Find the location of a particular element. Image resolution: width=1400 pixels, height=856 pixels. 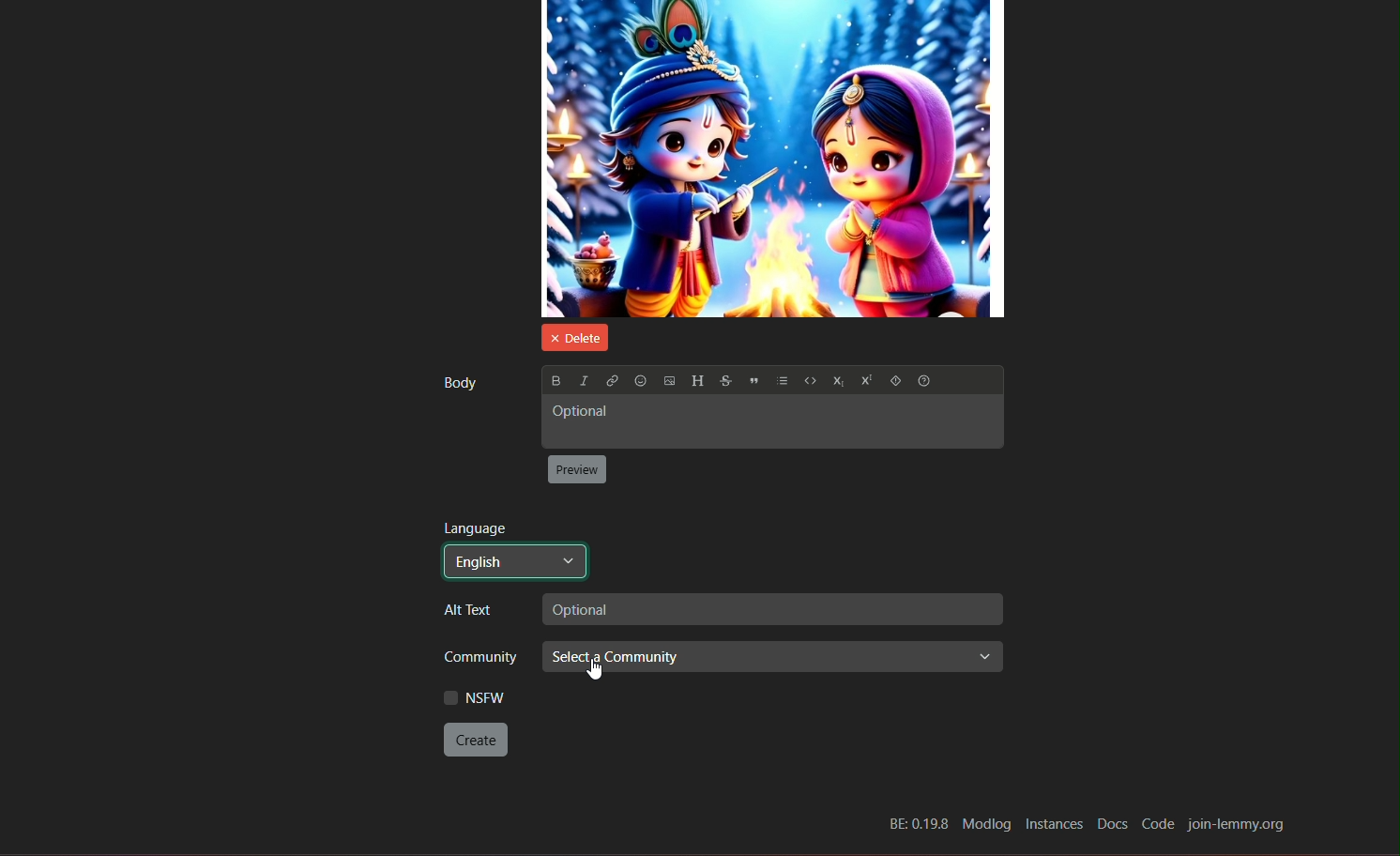

list is located at coordinates (783, 383).